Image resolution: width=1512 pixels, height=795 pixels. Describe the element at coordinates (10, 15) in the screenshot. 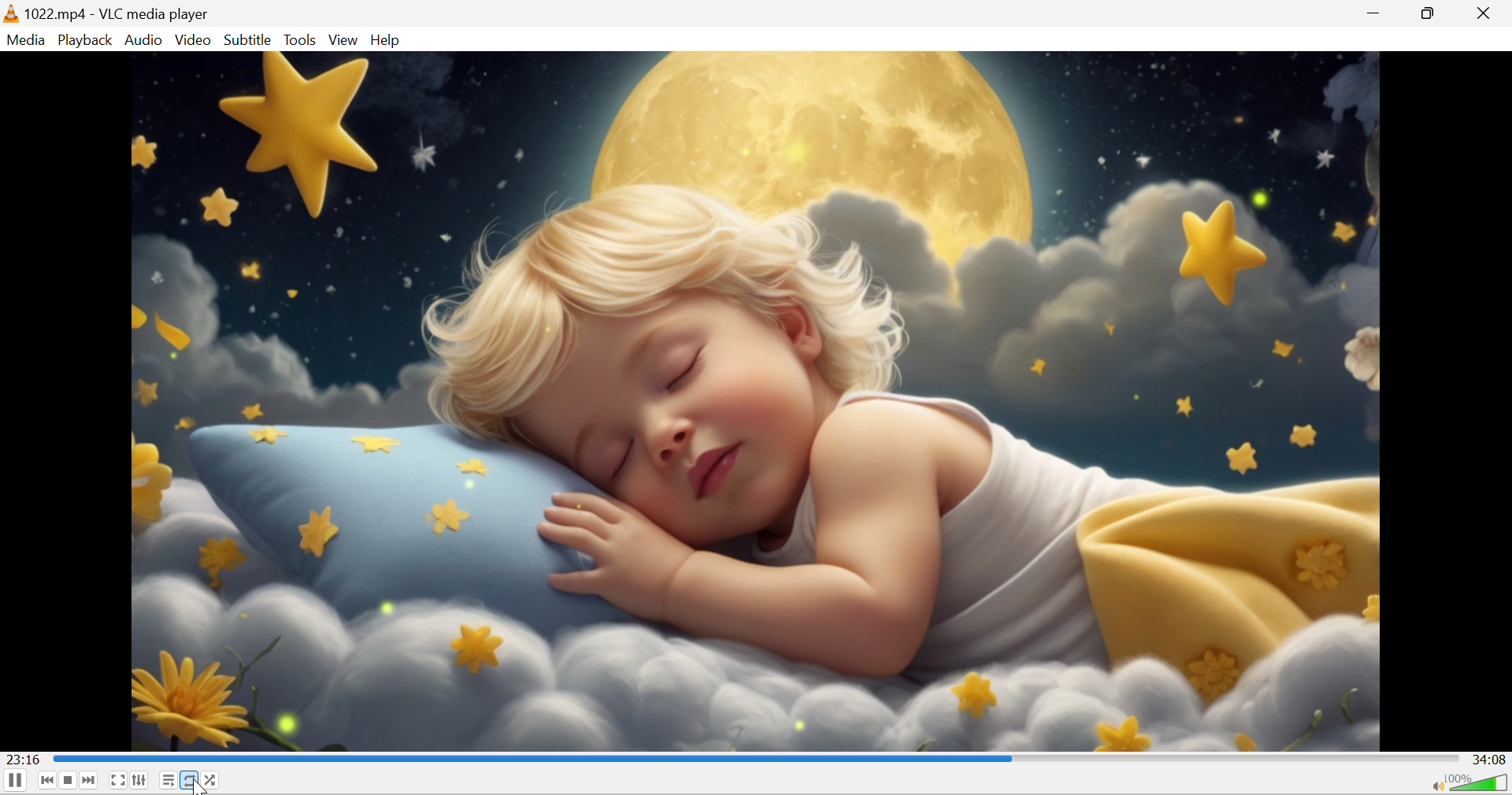

I see `vlc media player logo` at that location.